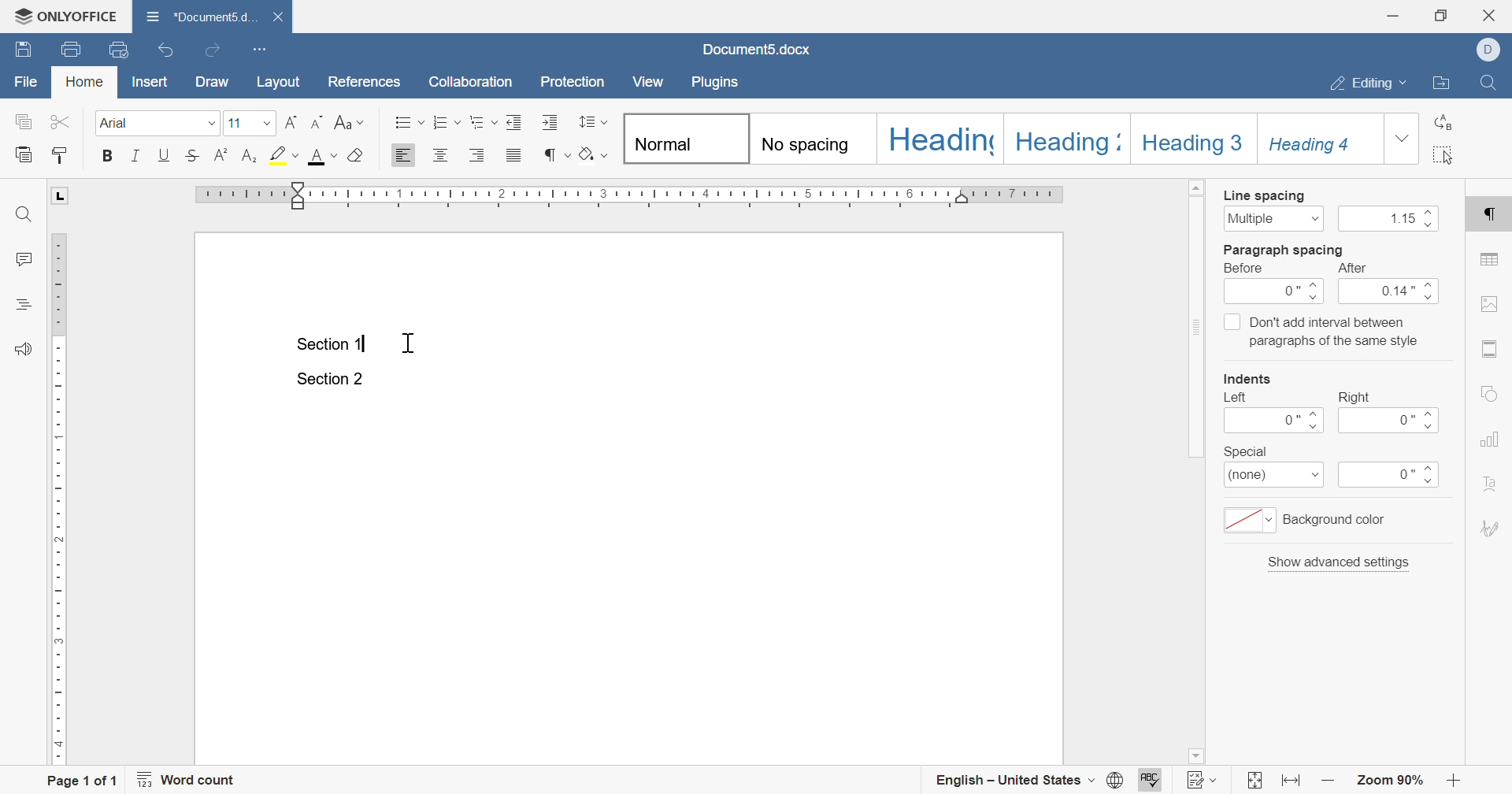 This screenshot has width=1512, height=794. What do you see at coordinates (631, 196) in the screenshot?
I see `ruler` at bounding box center [631, 196].